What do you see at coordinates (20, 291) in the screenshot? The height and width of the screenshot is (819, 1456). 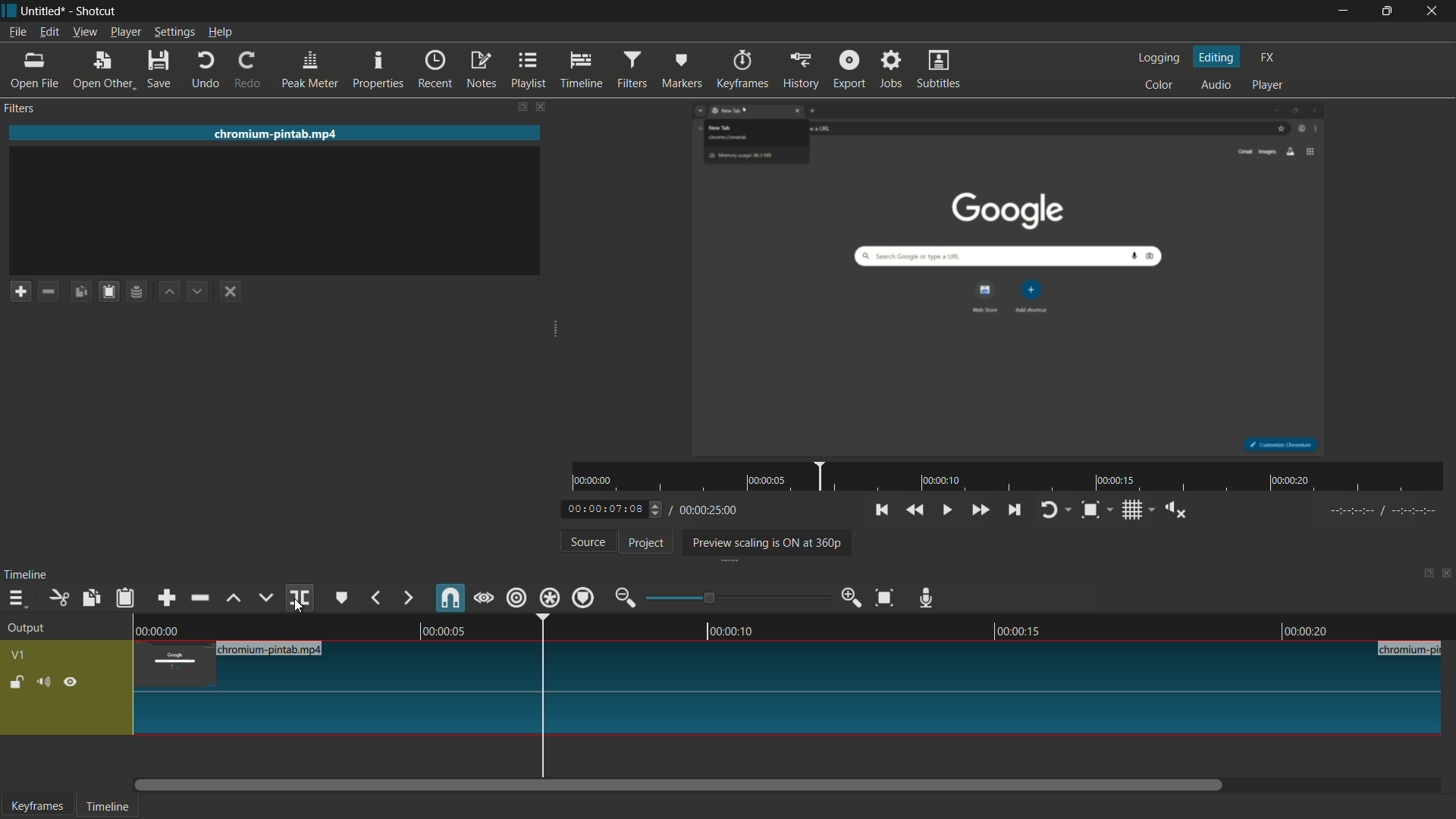 I see `add a filter` at bounding box center [20, 291].